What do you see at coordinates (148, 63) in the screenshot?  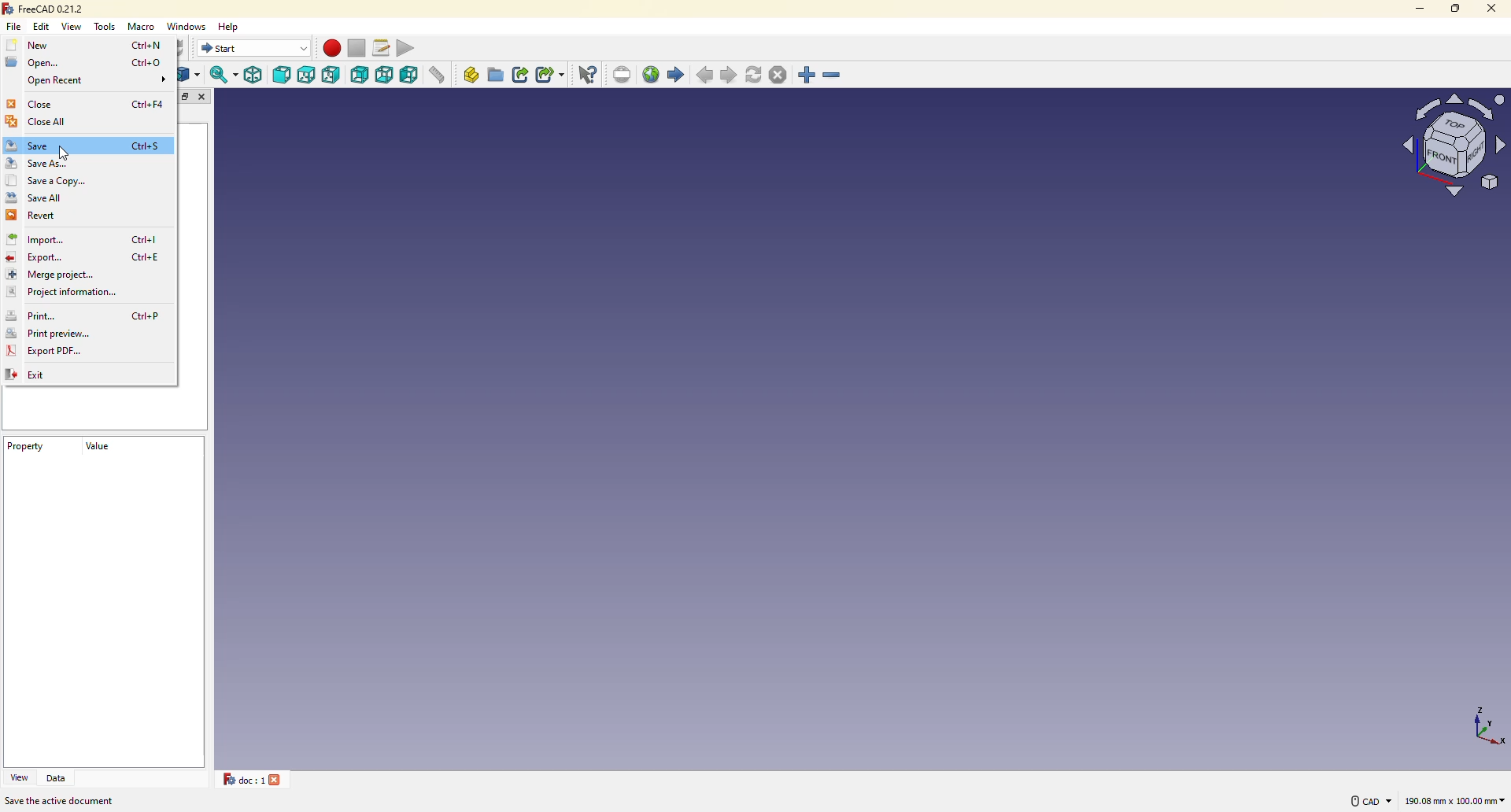 I see `ctrl+o` at bounding box center [148, 63].